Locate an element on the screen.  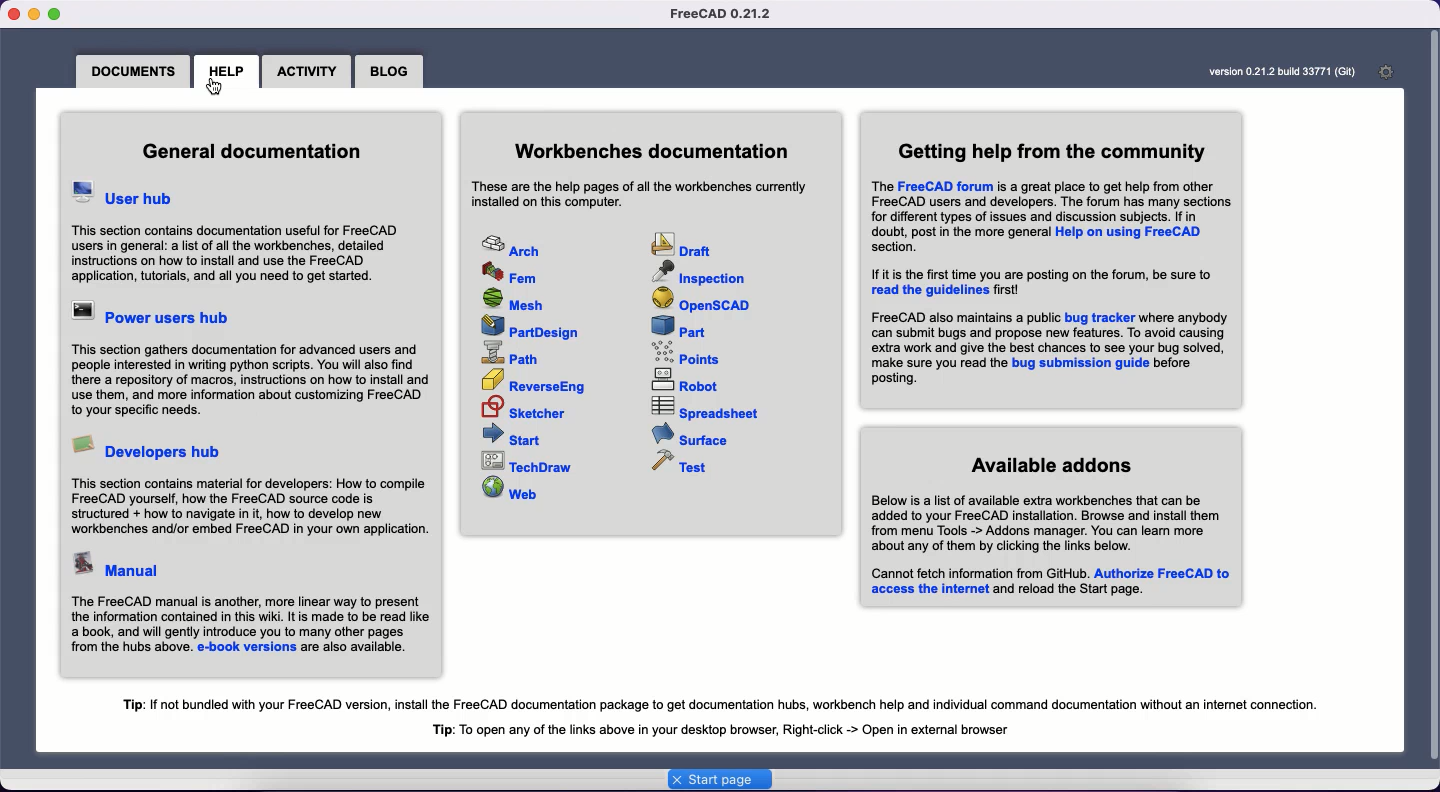
Documents is located at coordinates (135, 70).